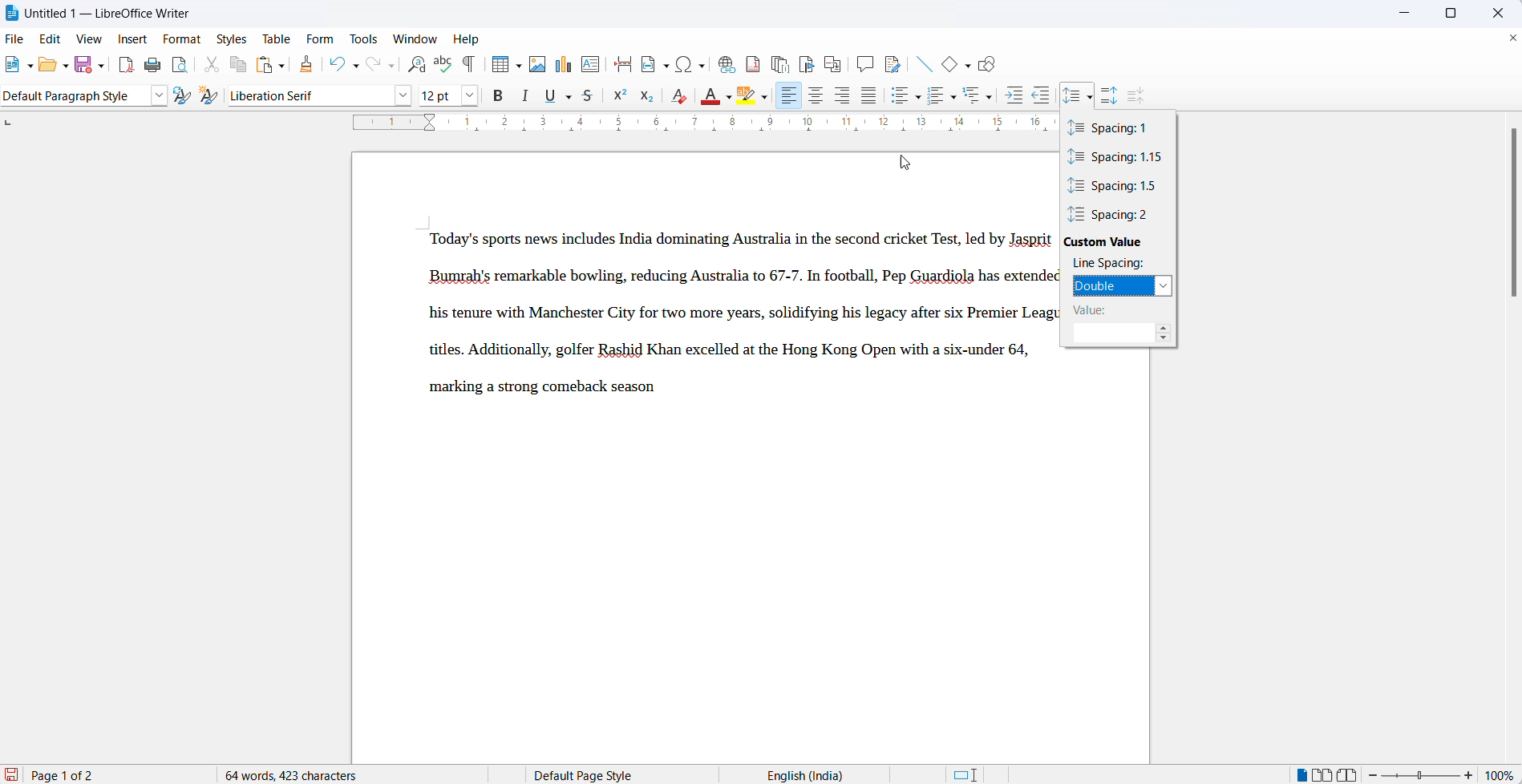 The image size is (1522, 784). I want to click on underline options, so click(569, 98).